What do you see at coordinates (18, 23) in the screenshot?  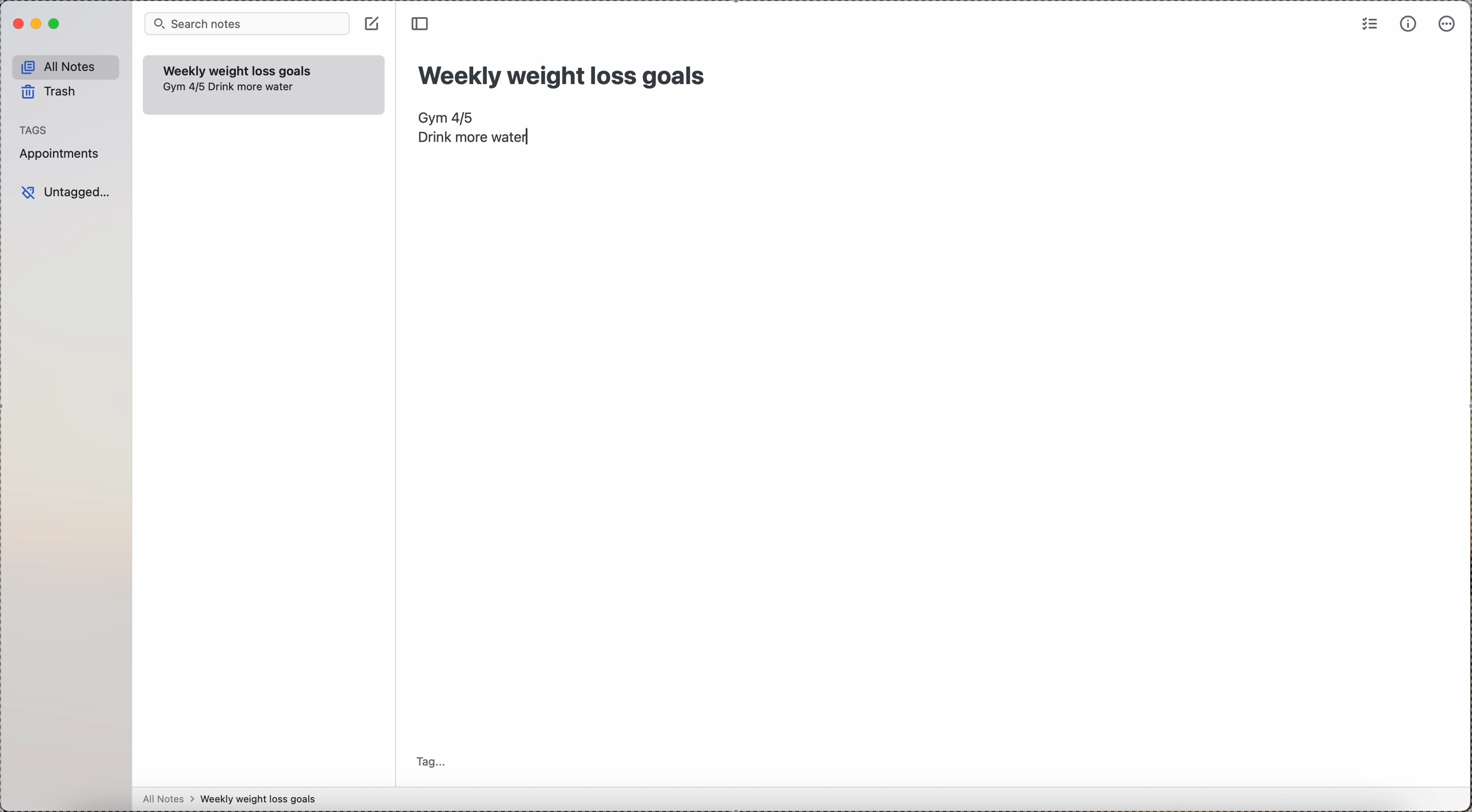 I see `close Simplenote` at bounding box center [18, 23].